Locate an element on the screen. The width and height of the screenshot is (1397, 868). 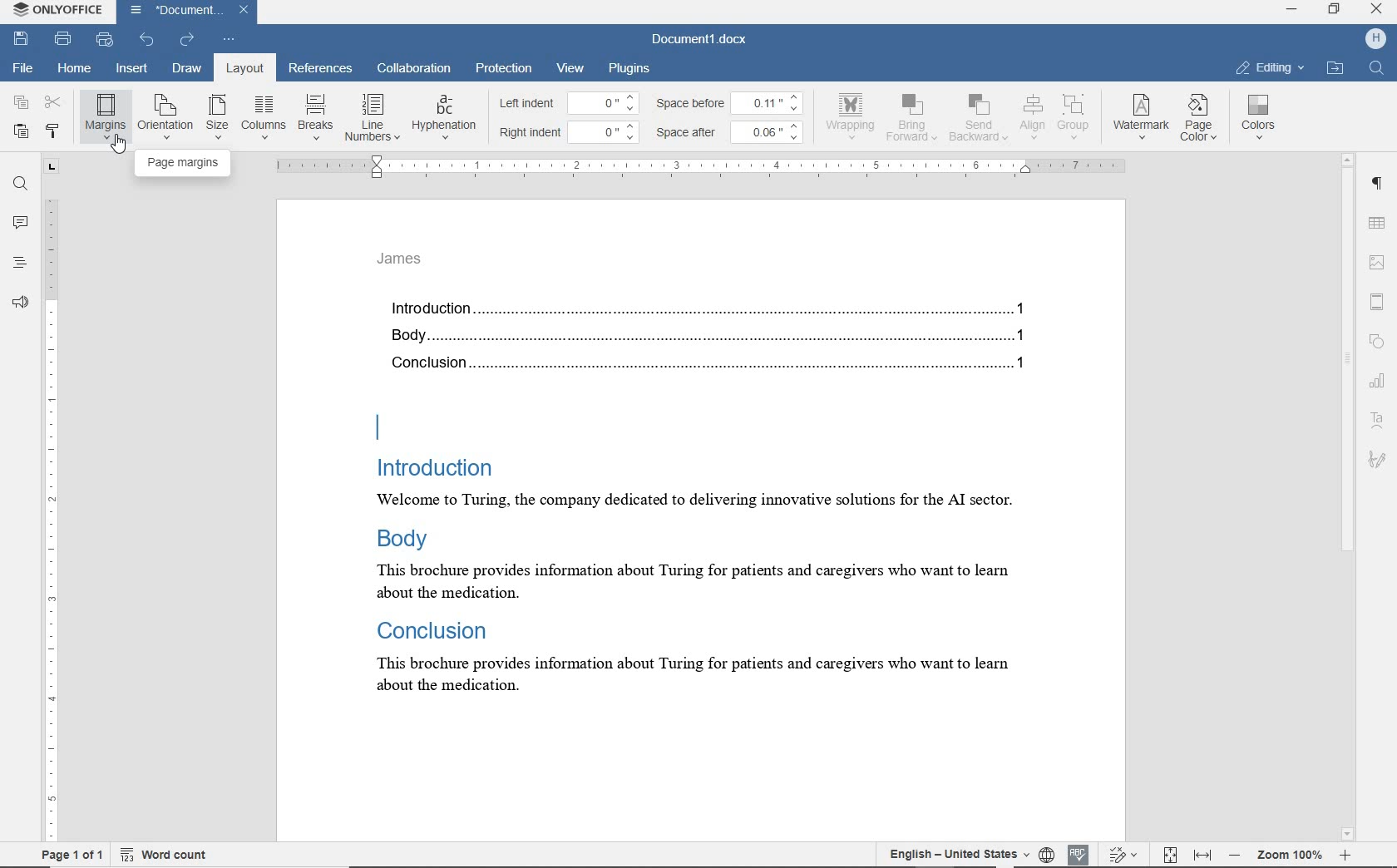
text is located at coordinates (717, 509).